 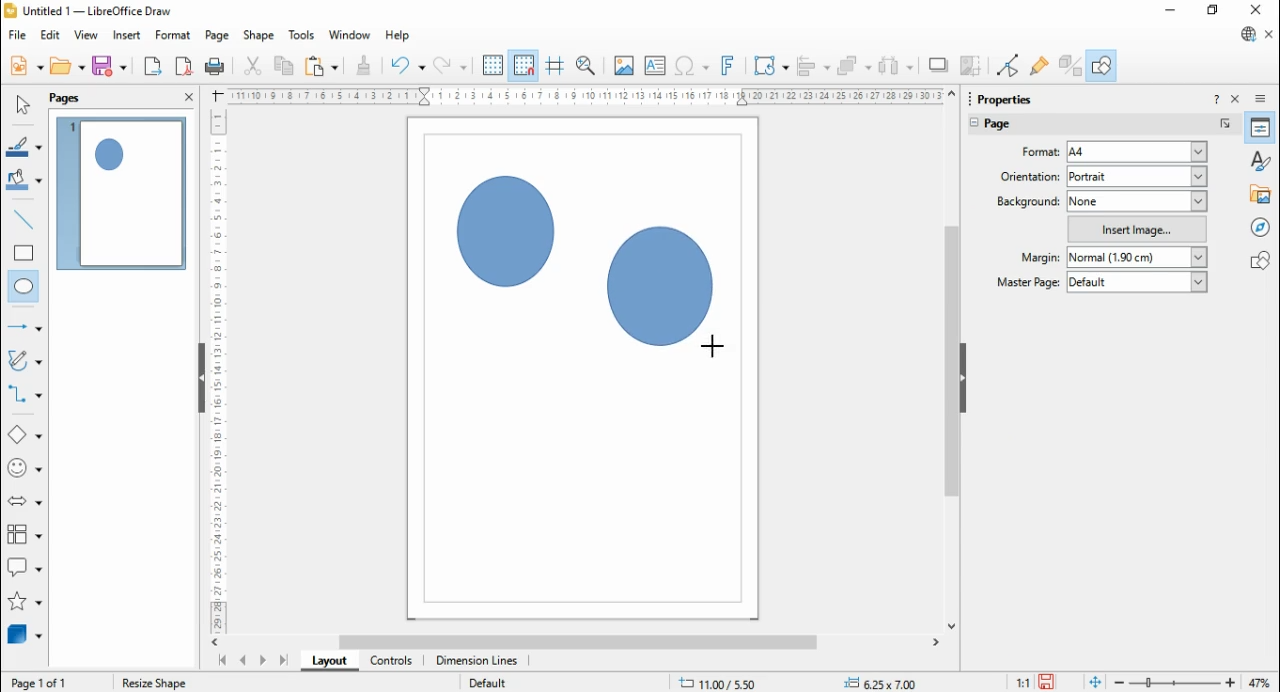 I want to click on toggle extrusions, so click(x=1070, y=65).